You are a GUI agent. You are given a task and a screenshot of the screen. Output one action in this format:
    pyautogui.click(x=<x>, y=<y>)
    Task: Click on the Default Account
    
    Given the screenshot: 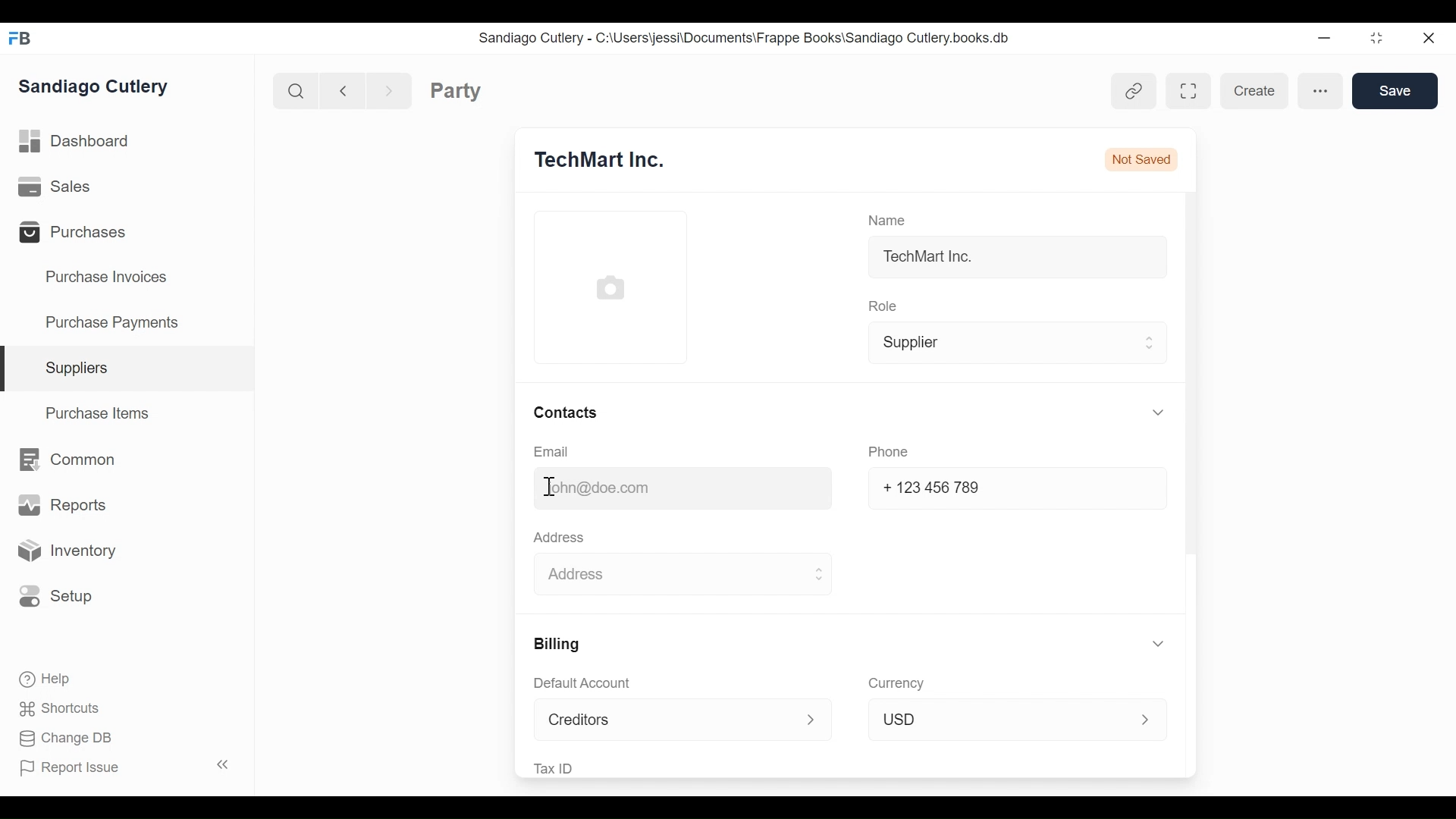 What is the action you would take?
    pyautogui.click(x=588, y=685)
    